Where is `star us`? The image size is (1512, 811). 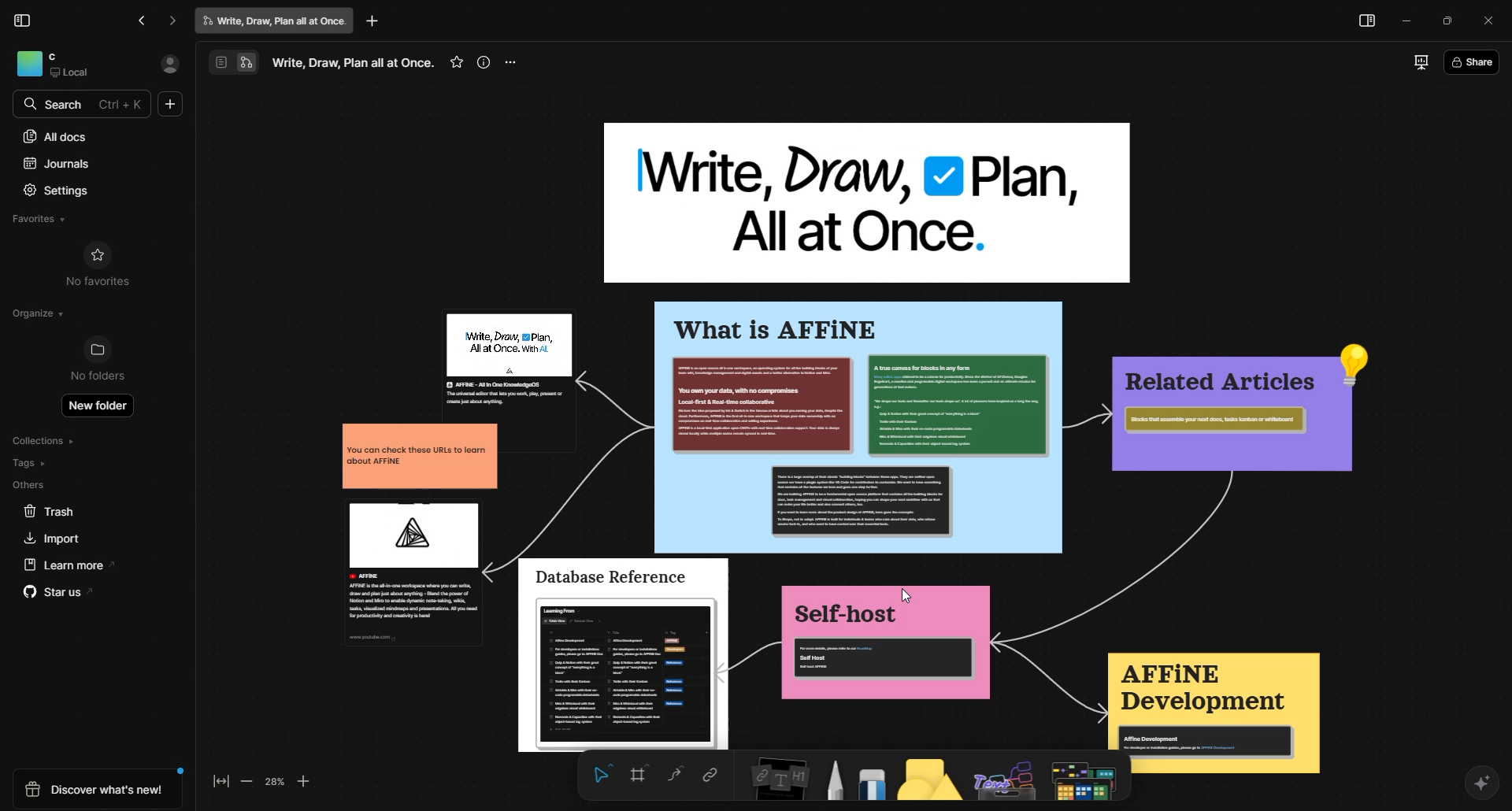
star us is located at coordinates (57, 594).